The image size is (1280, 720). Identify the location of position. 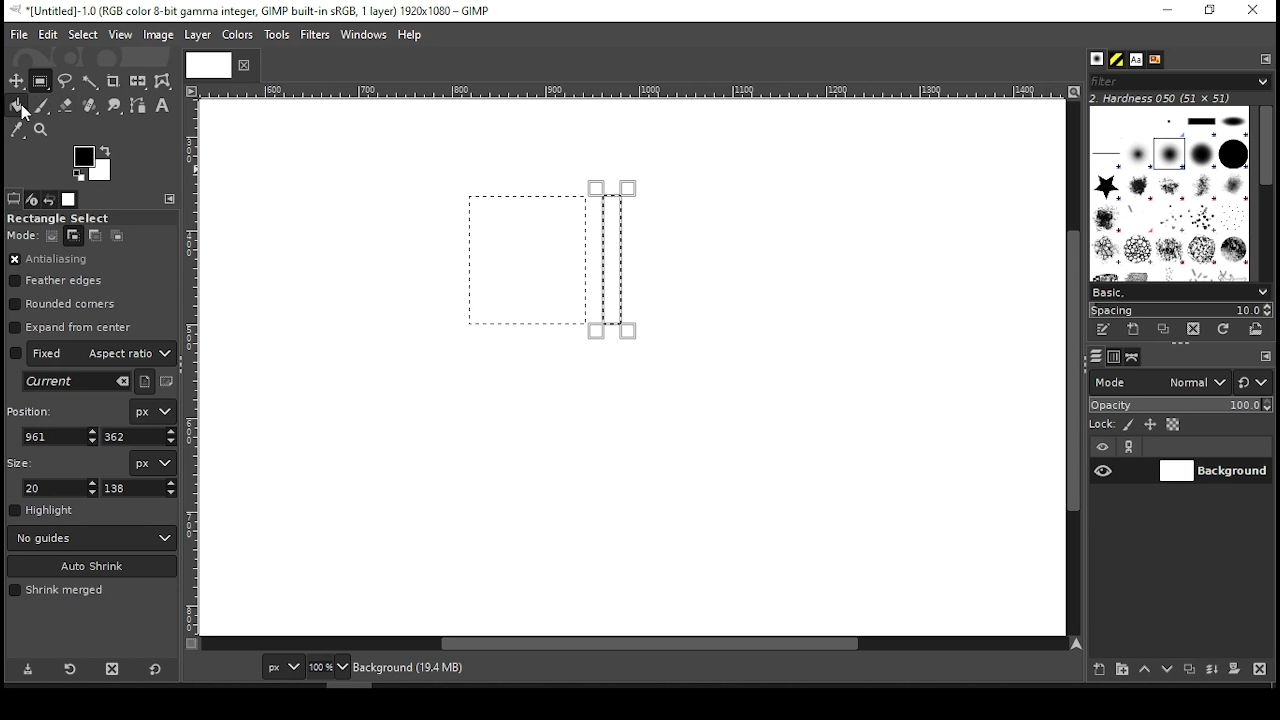
(33, 409).